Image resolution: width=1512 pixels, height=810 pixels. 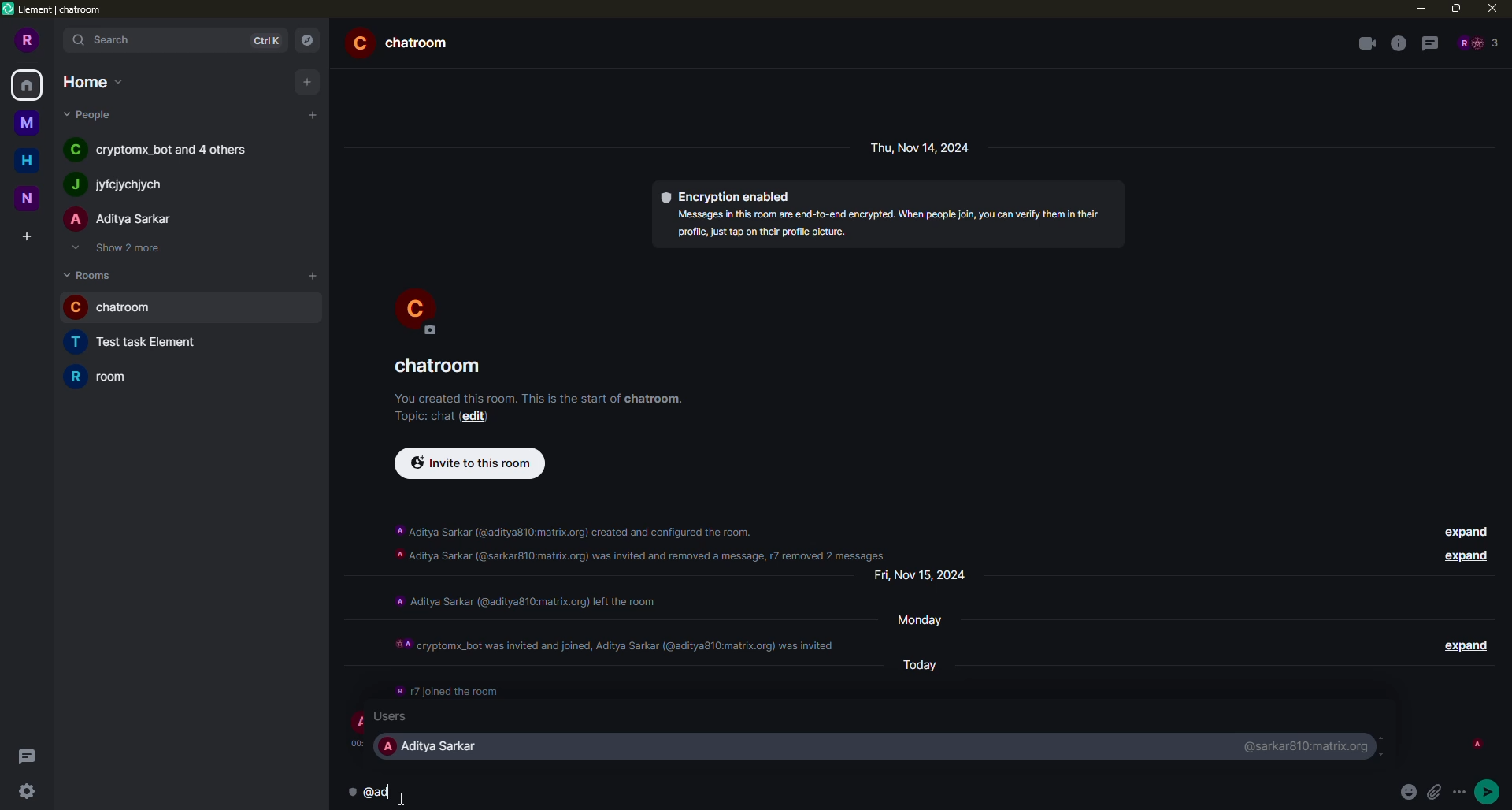 What do you see at coordinates (383, 793) in the screenshot?
I see `ad` at bounding box center [383, 793].